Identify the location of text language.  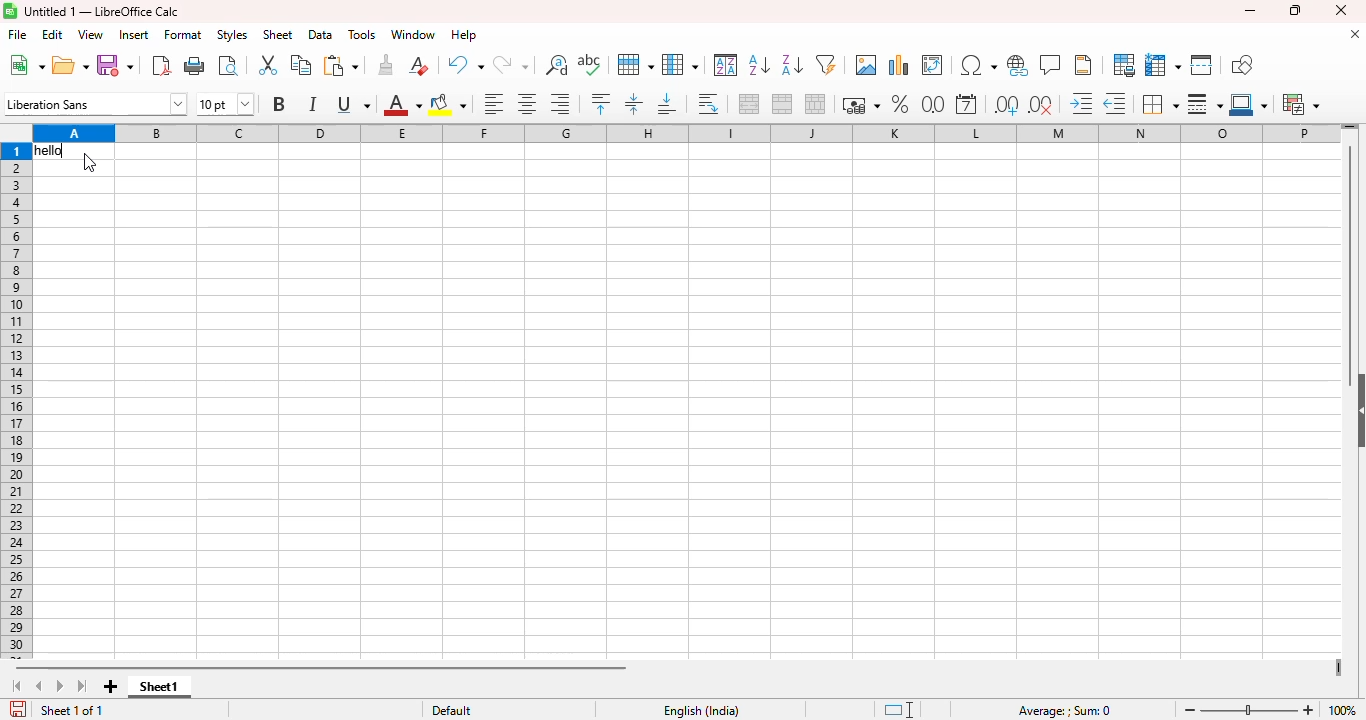
(700, 711).